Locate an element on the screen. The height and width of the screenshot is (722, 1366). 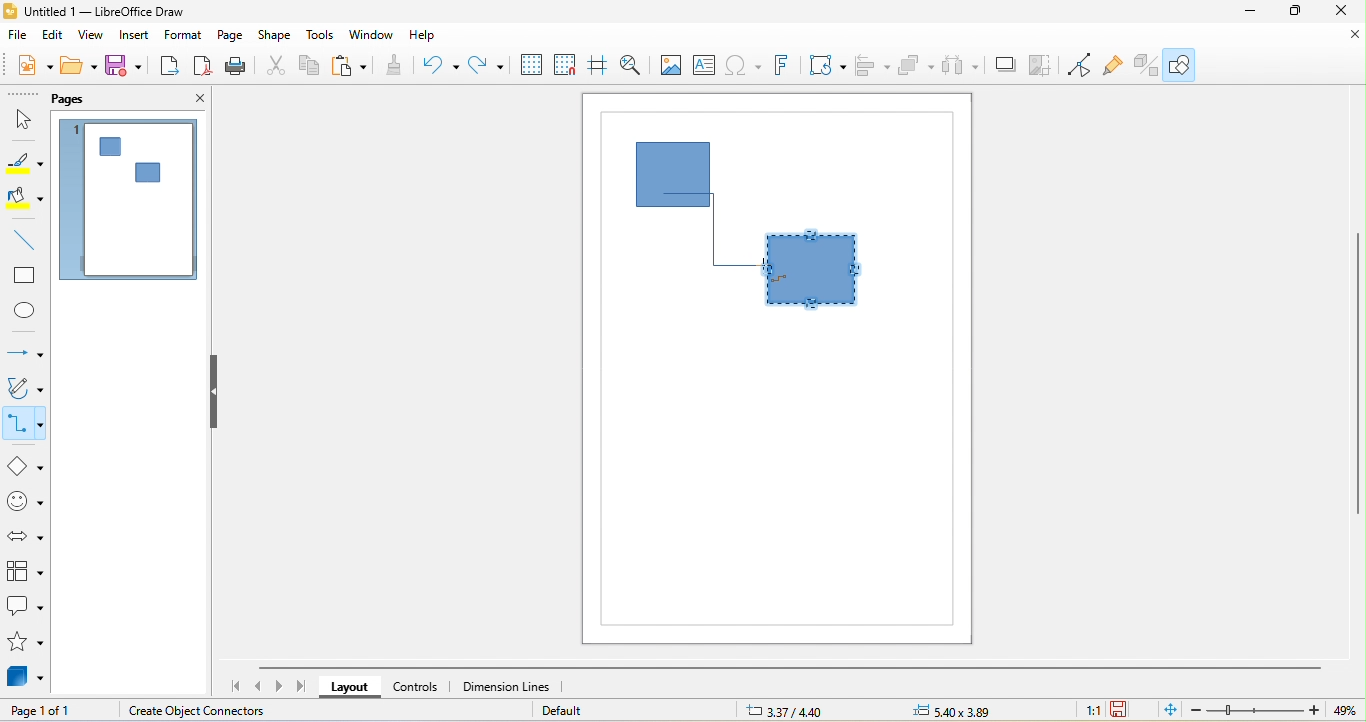
align object is located at coordinates (872, 65).